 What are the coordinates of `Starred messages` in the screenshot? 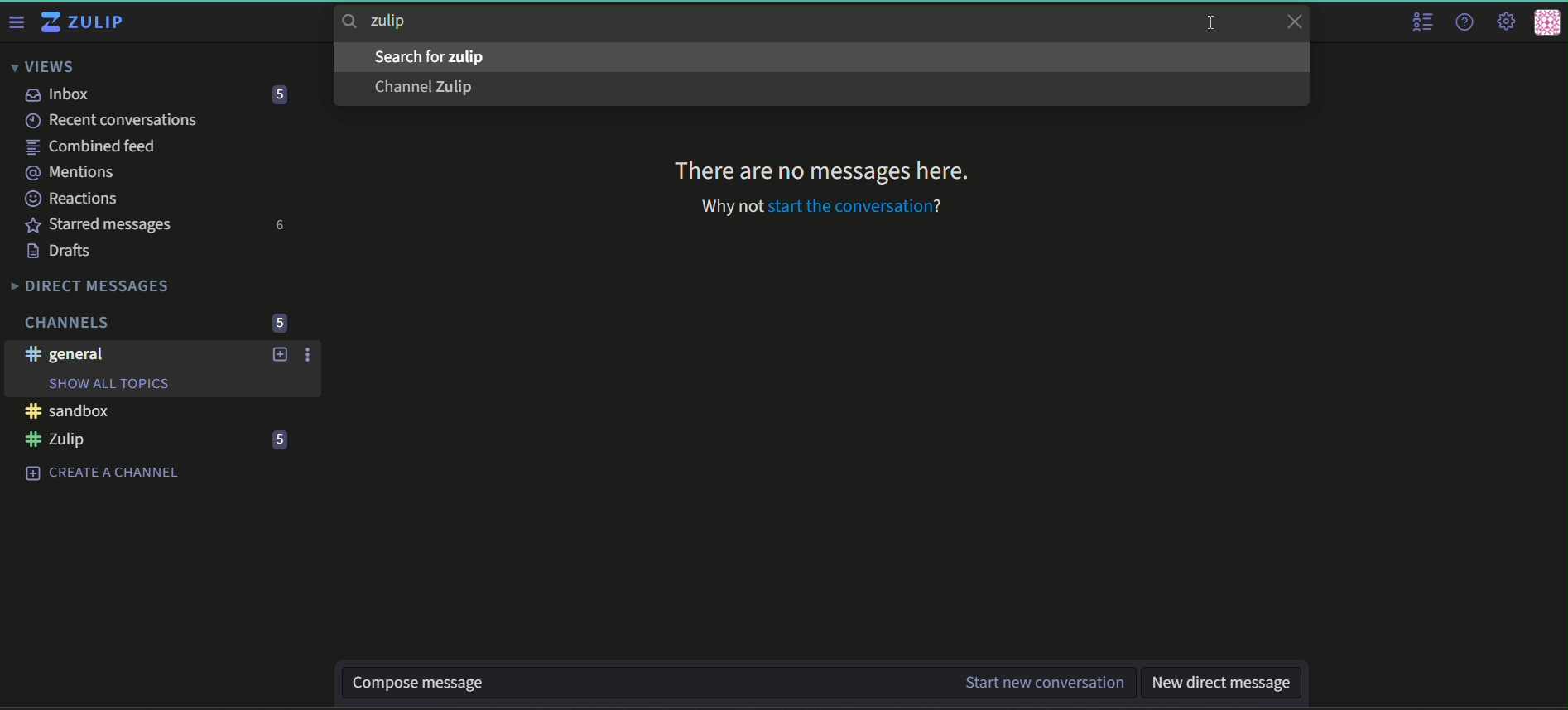 It's located at (102, 223).